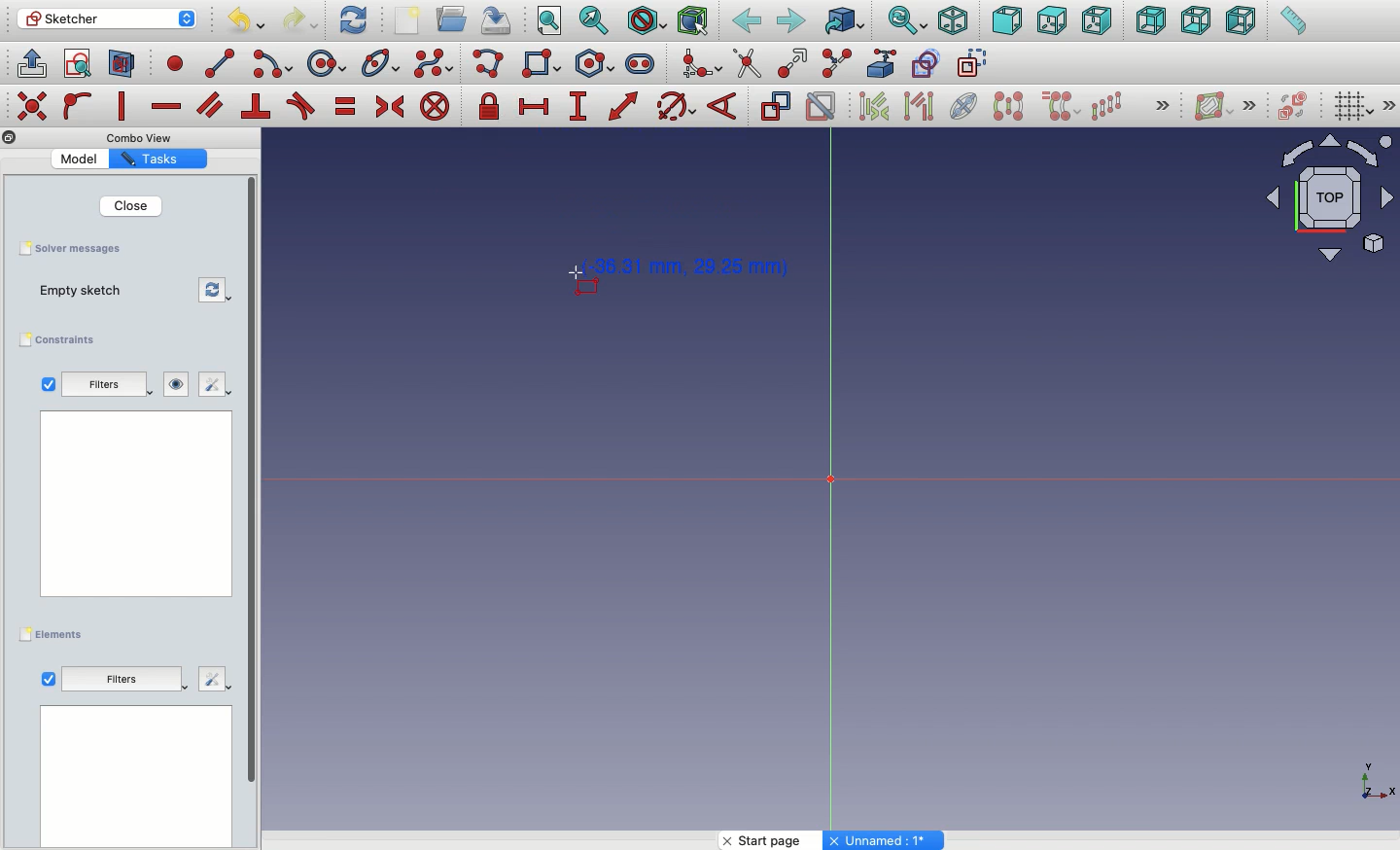 This screenshot has width=1400, height=850. What do you see at coordinates (353, 18) in the screenshot?
I see `Refresh` at bounding box center [353, 18].